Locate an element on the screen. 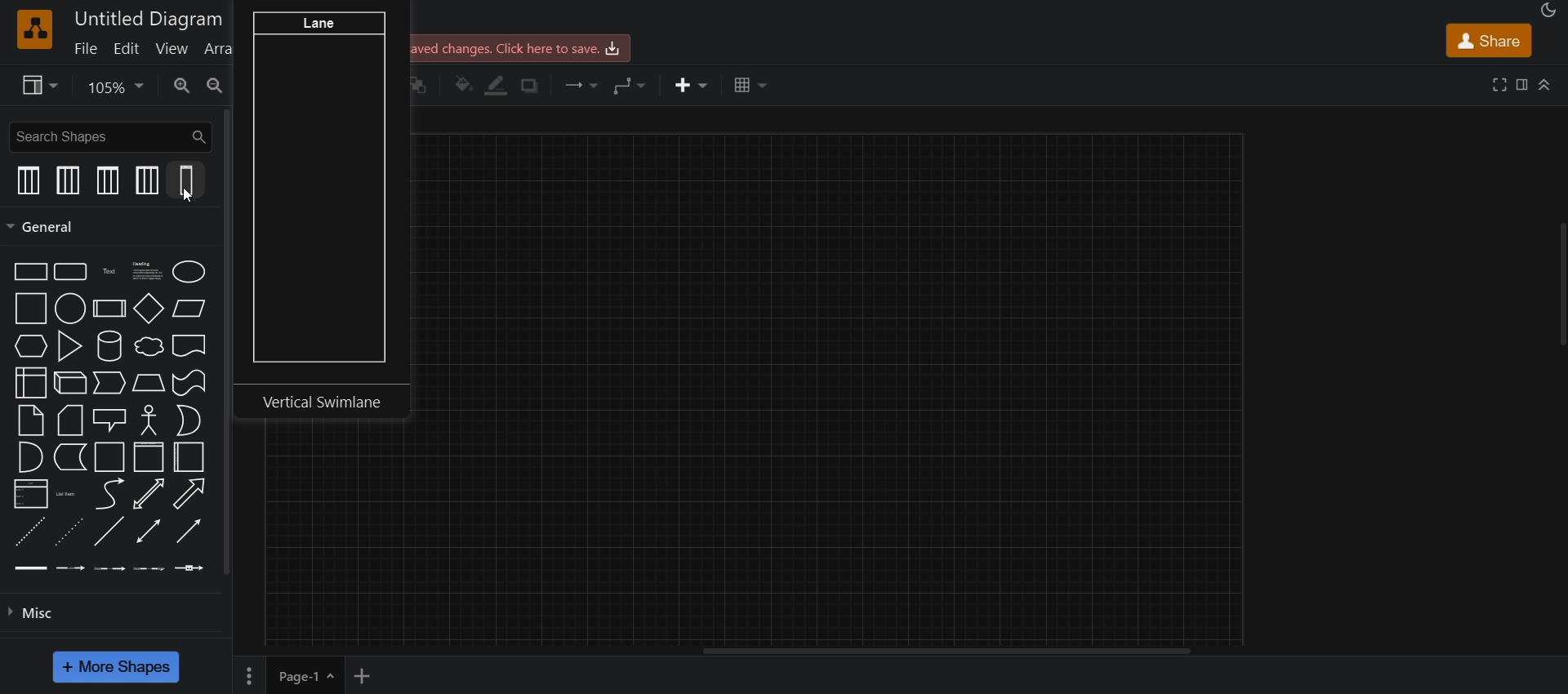  fullscreen is located at coordinates (1501, 84).